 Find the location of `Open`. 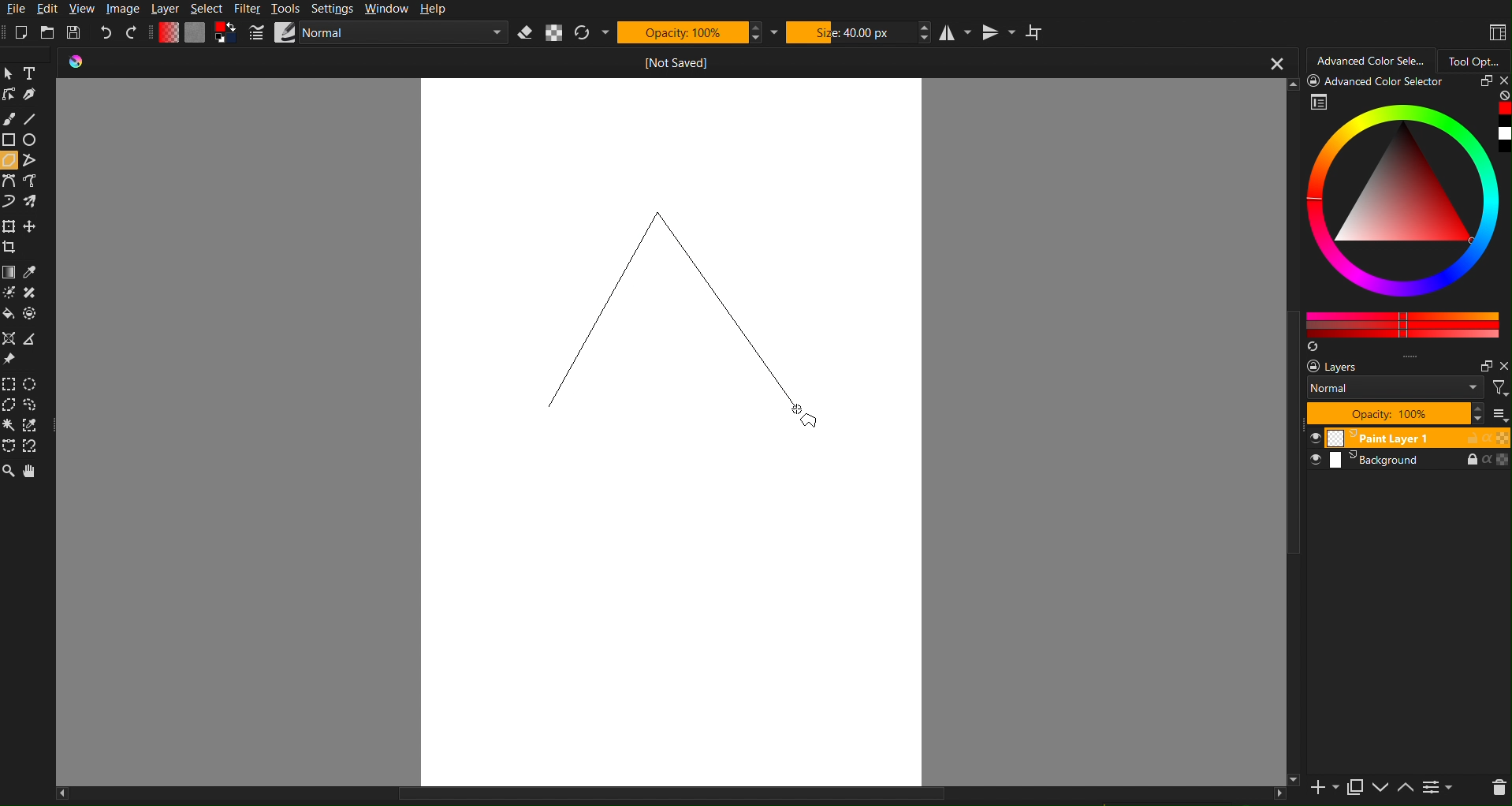

Open is located at coordinates (48, 32).